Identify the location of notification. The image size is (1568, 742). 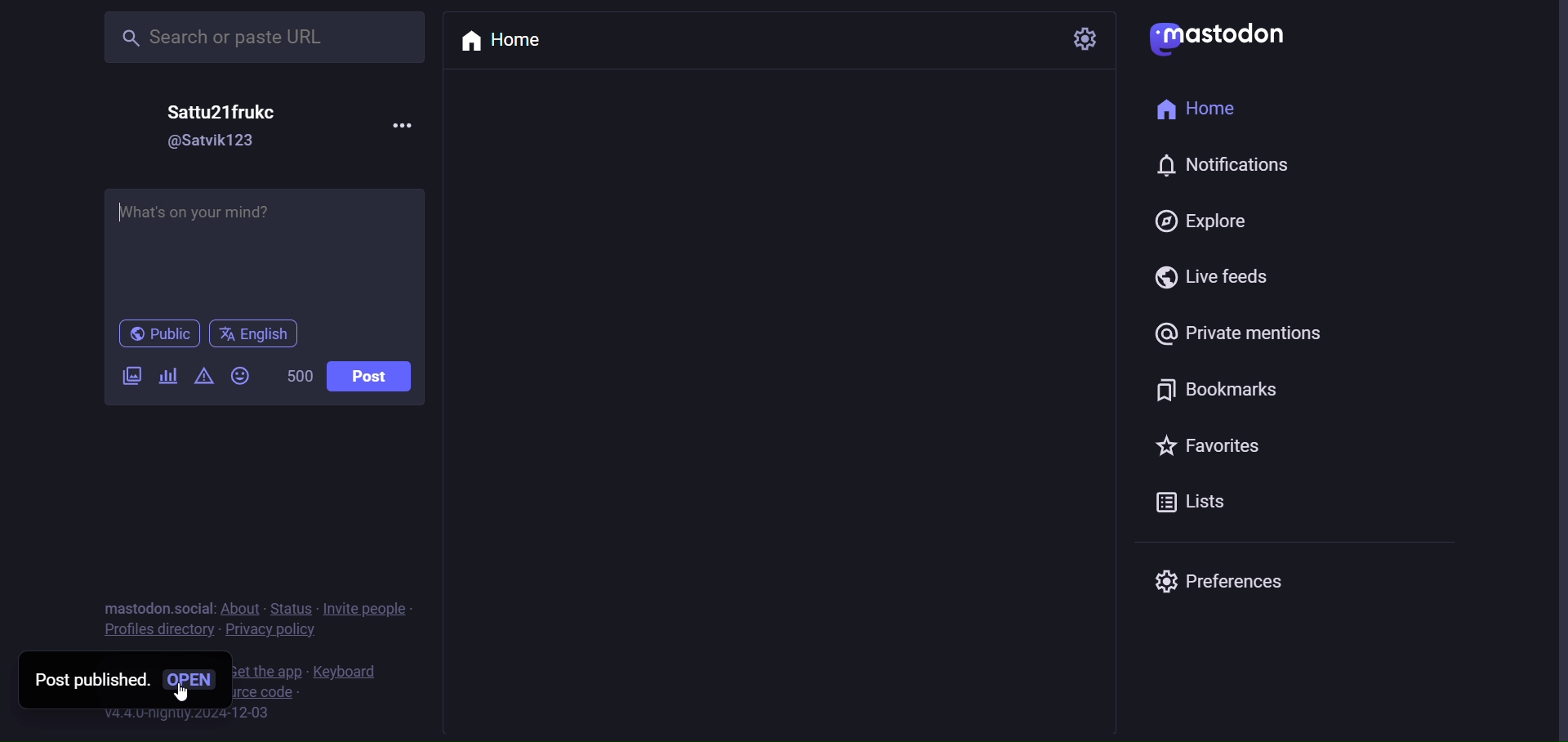
(1228, 165).